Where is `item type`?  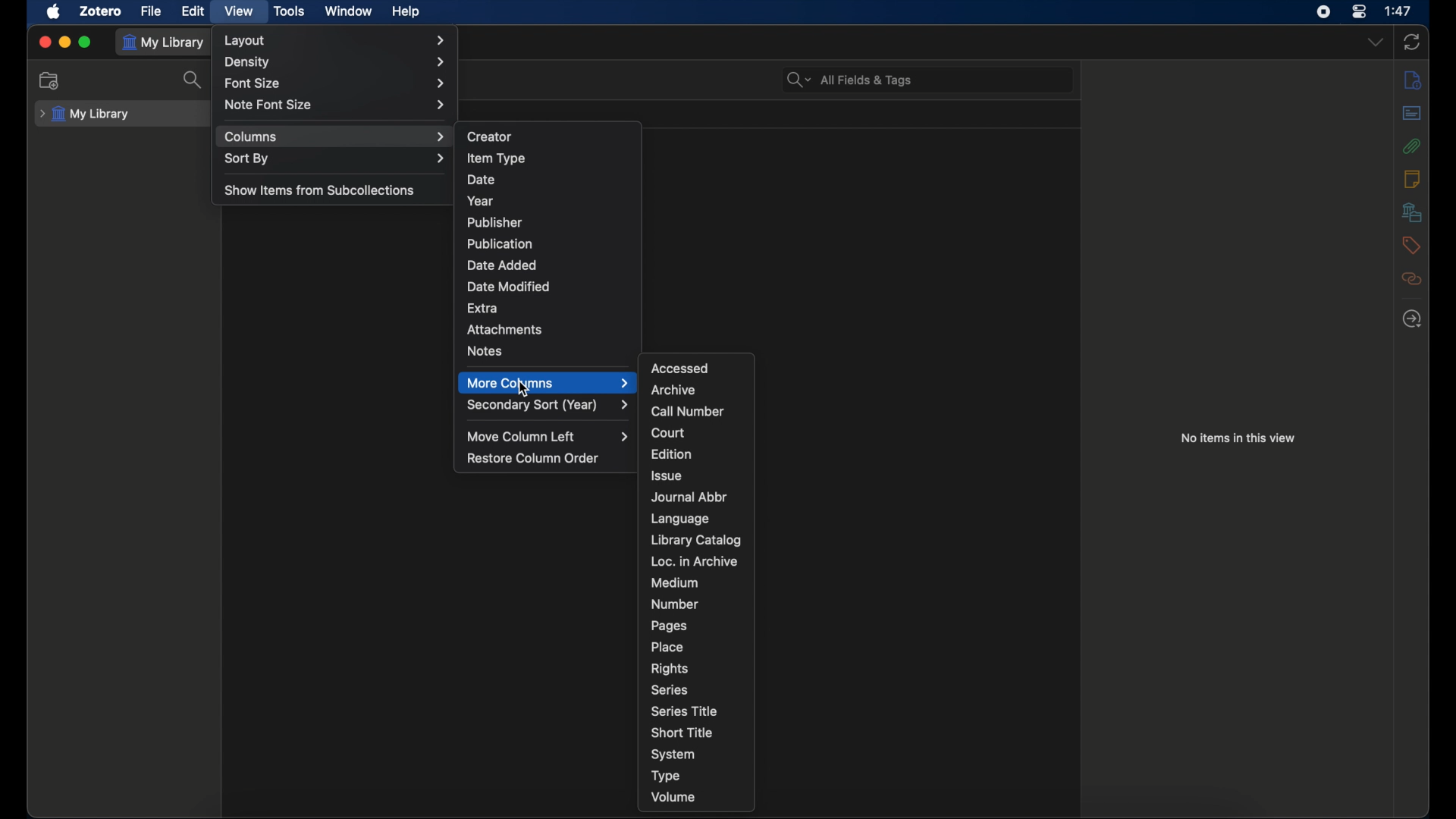 item type is located at coordinates (497, 158).